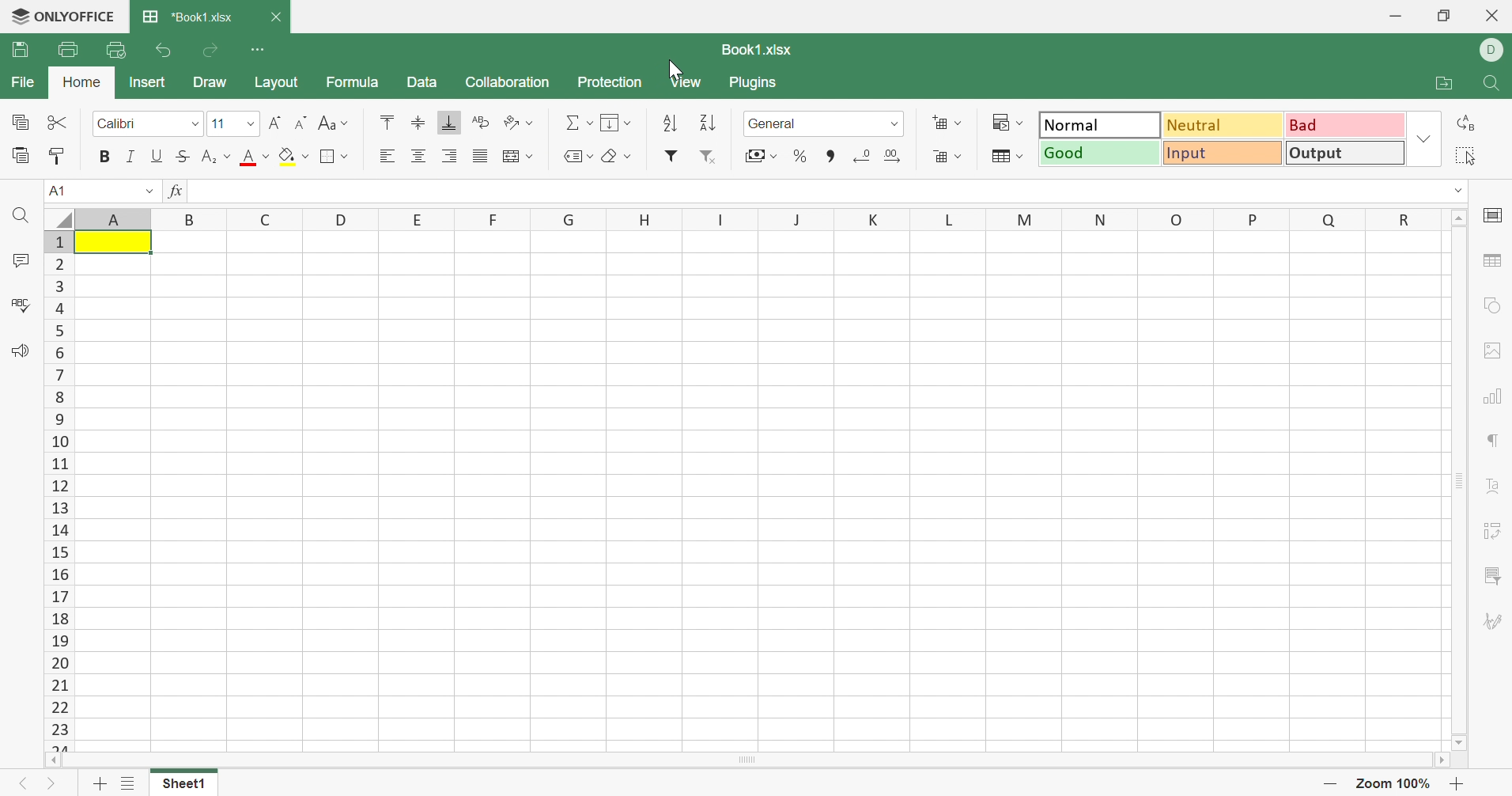 The image size is (1512, 796). Describe the element at coordinates (755, 47) in the screenshot. I see `Book1.xlsx` at that location.